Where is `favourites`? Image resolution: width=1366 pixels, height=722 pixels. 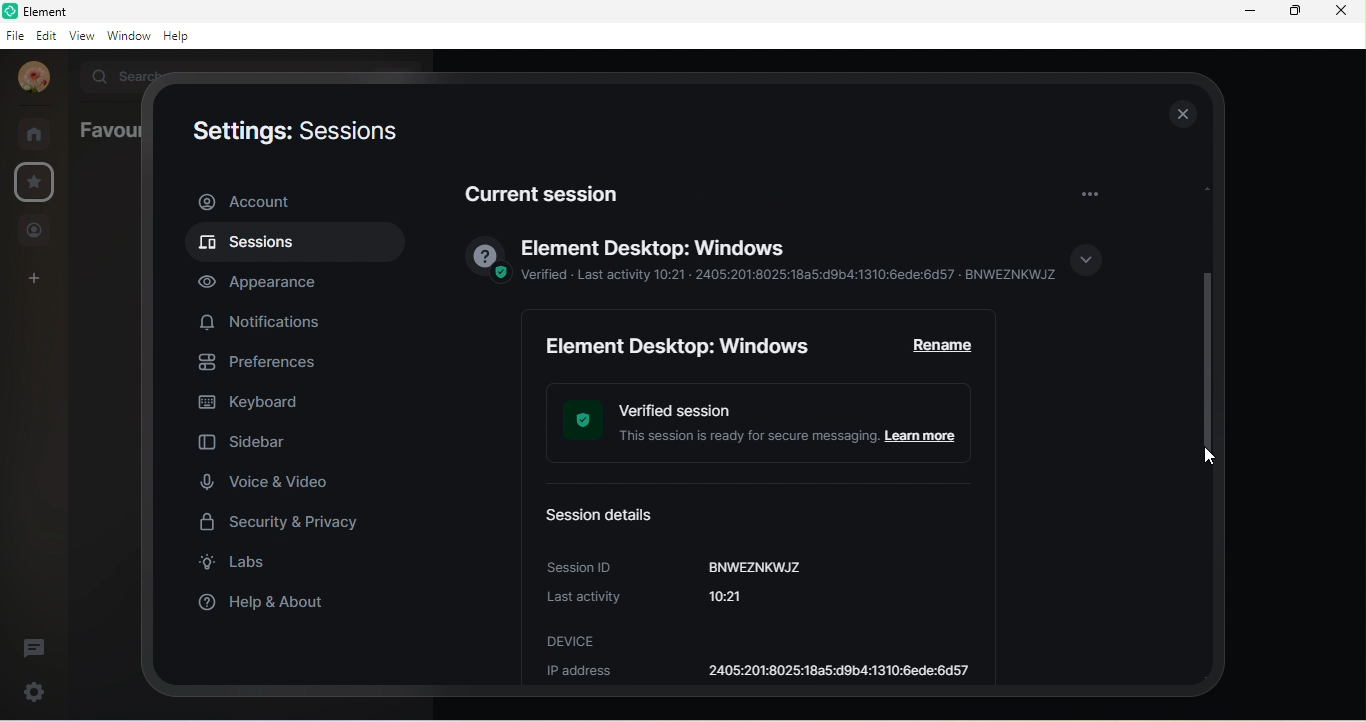 favourites is located at coordinates (106, 130).